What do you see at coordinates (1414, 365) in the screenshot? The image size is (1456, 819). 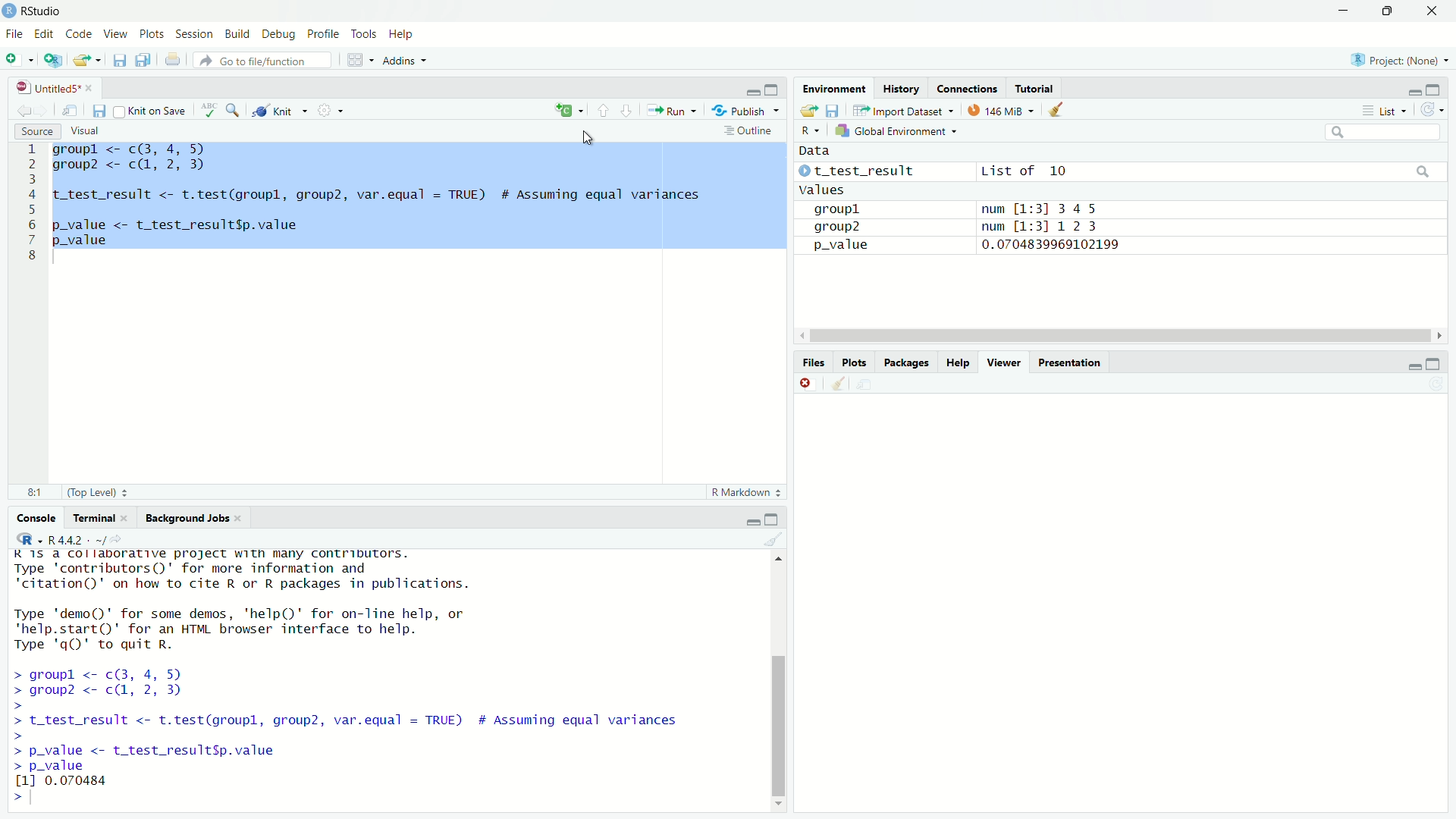 I see `minimise` at bounding box center [1414, 365].